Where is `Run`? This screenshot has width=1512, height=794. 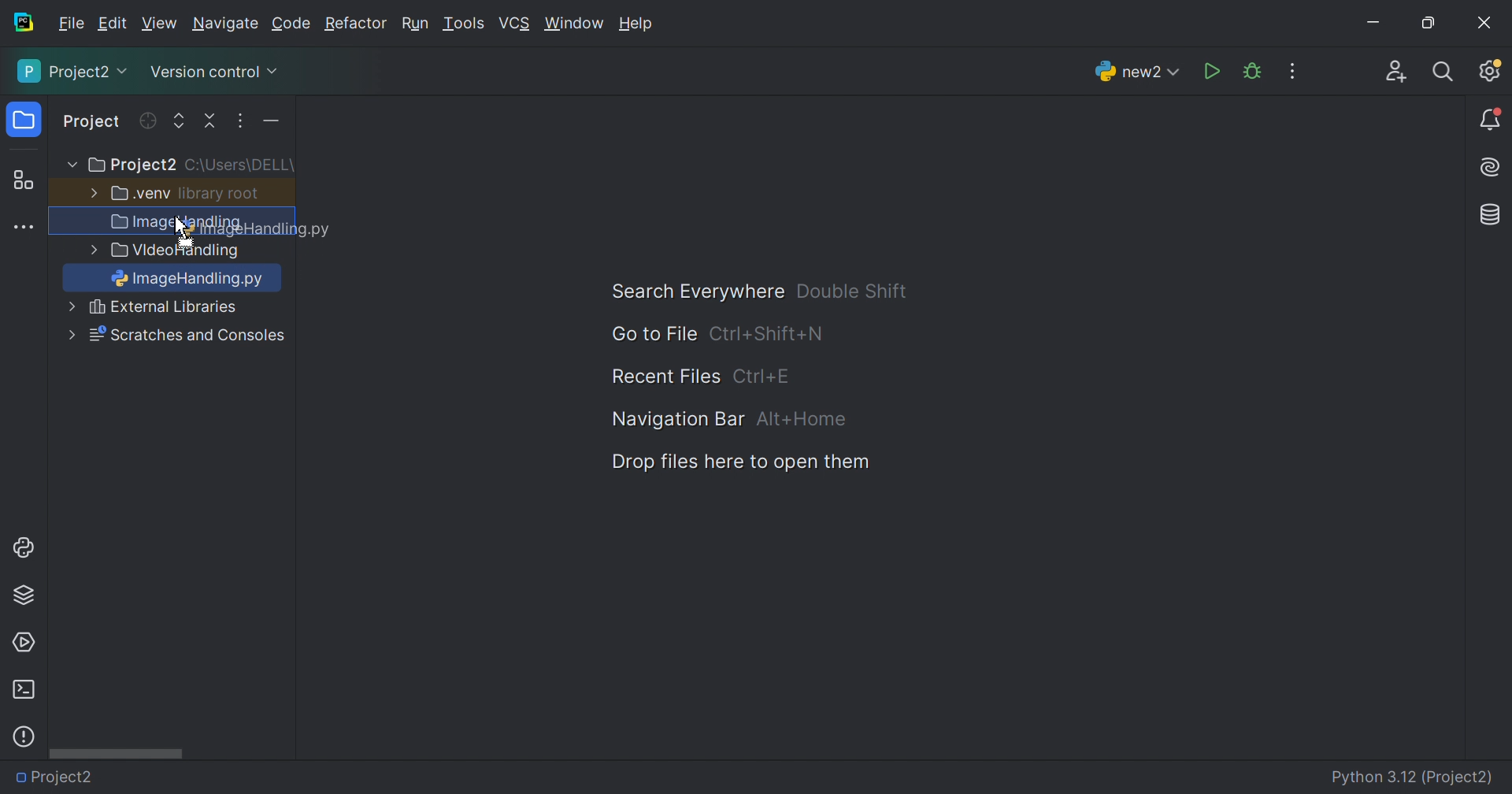 Run is located at coordinates (415, 25).